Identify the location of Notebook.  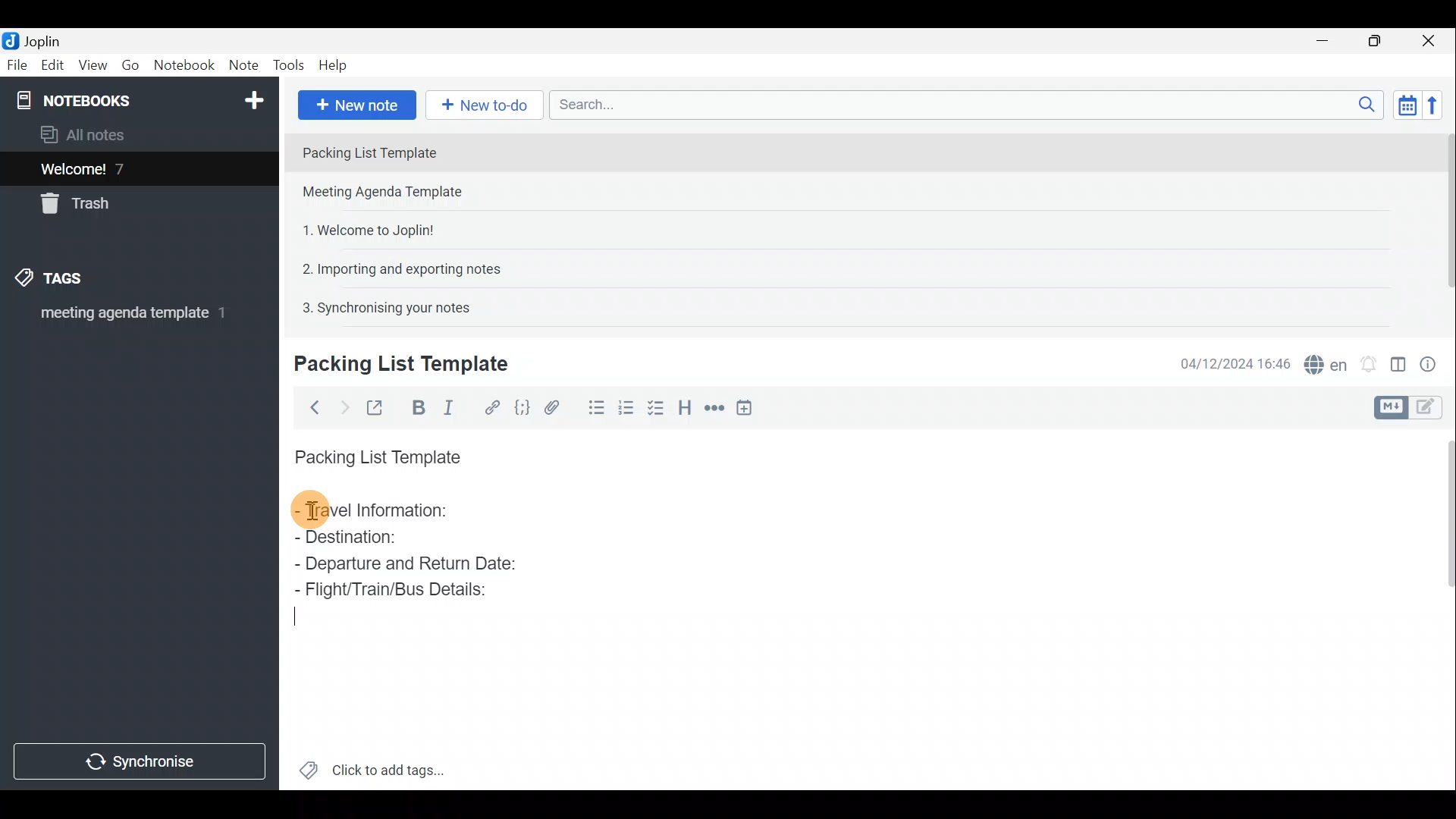
(184, 67).